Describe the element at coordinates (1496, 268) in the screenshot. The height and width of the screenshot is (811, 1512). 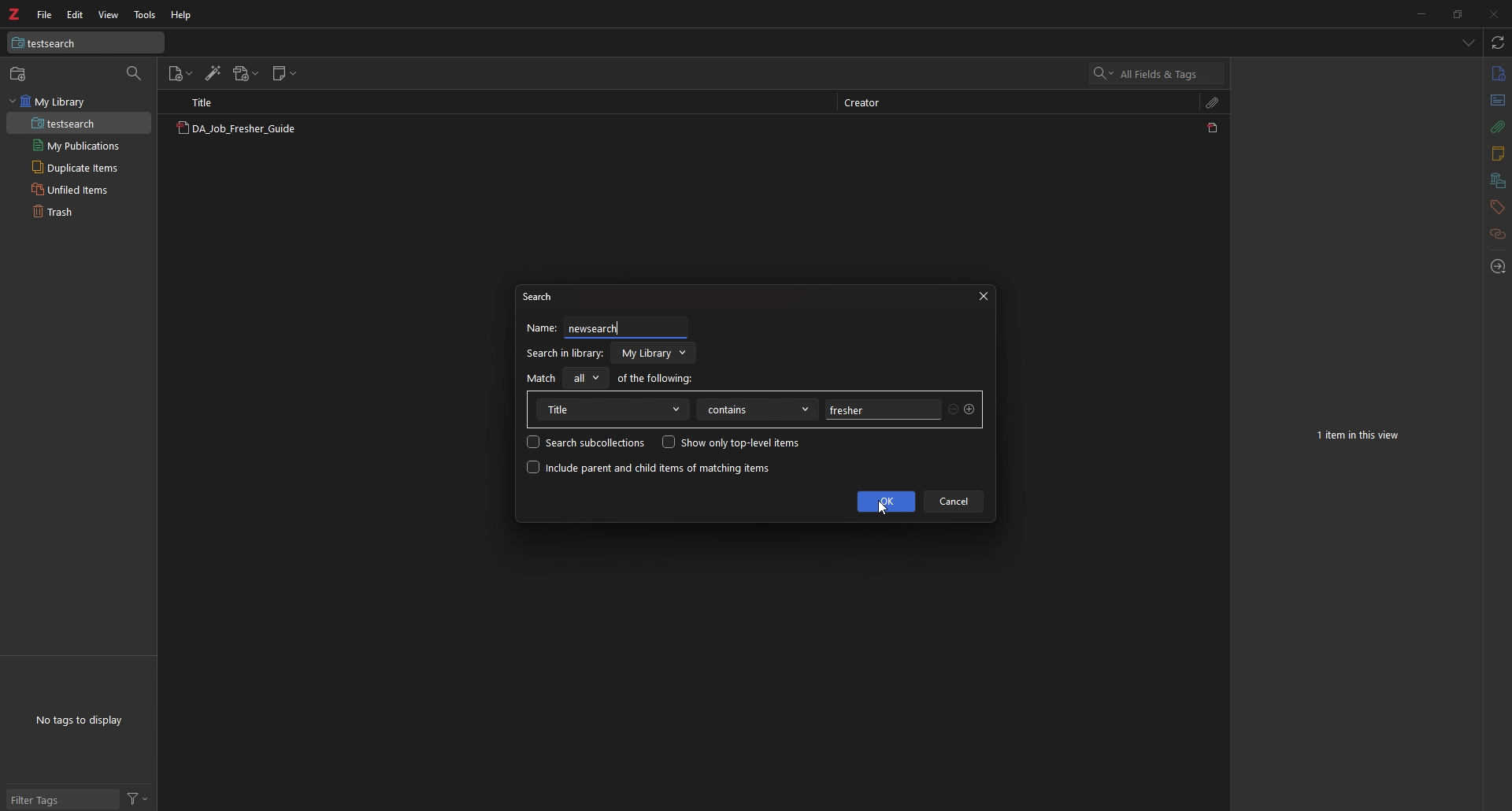
I see `locate` at that location.